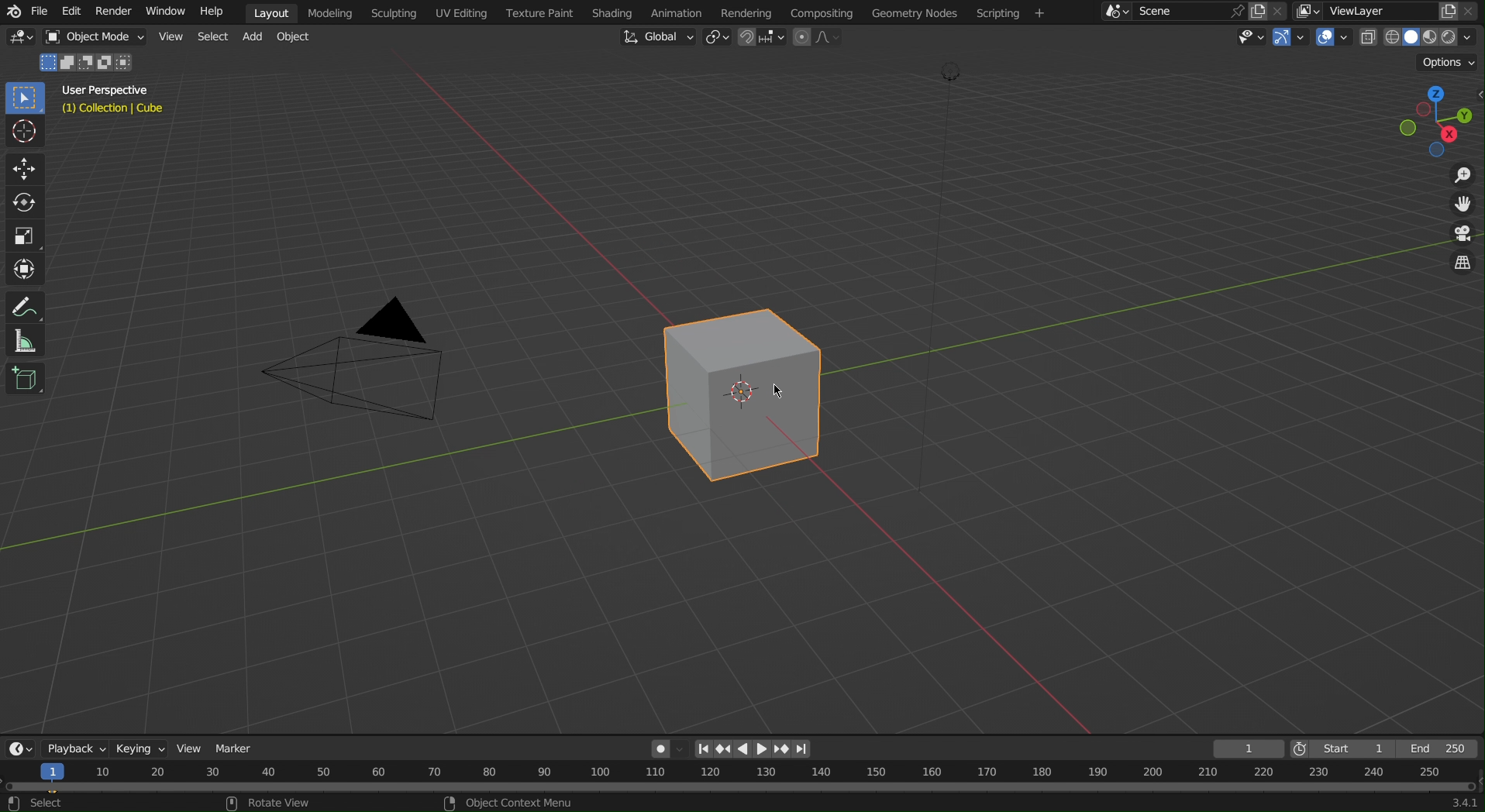 The height and width of the screenshot is (812, 1485). Describe the element at coordinates (105, 91) in the screenshot. I see `User Perspective` at that location.